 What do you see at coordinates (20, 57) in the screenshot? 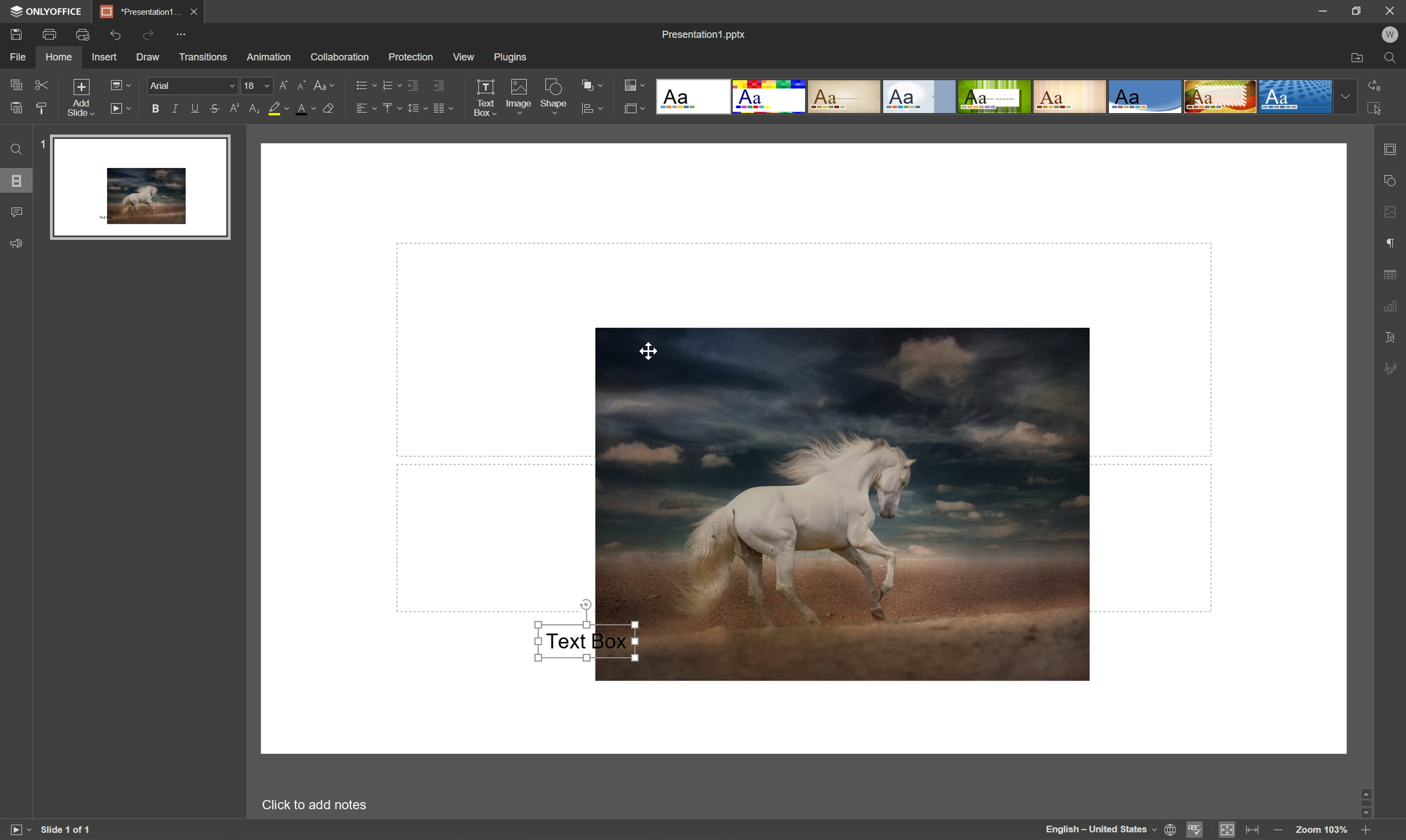
I see `File` at bounding box center [20, 57].